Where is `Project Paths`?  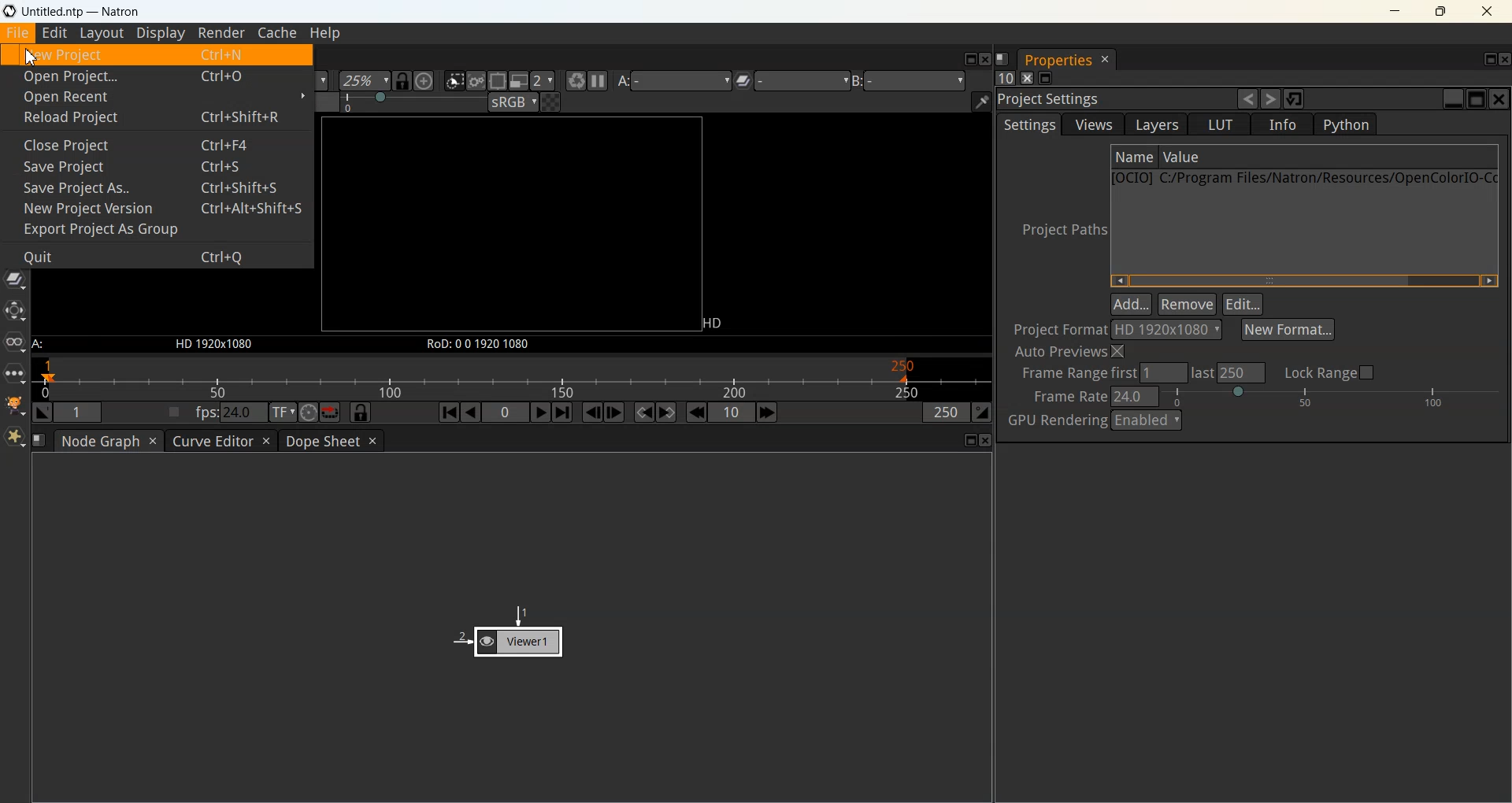 Project Paths is located at coordinates (1058, 229).